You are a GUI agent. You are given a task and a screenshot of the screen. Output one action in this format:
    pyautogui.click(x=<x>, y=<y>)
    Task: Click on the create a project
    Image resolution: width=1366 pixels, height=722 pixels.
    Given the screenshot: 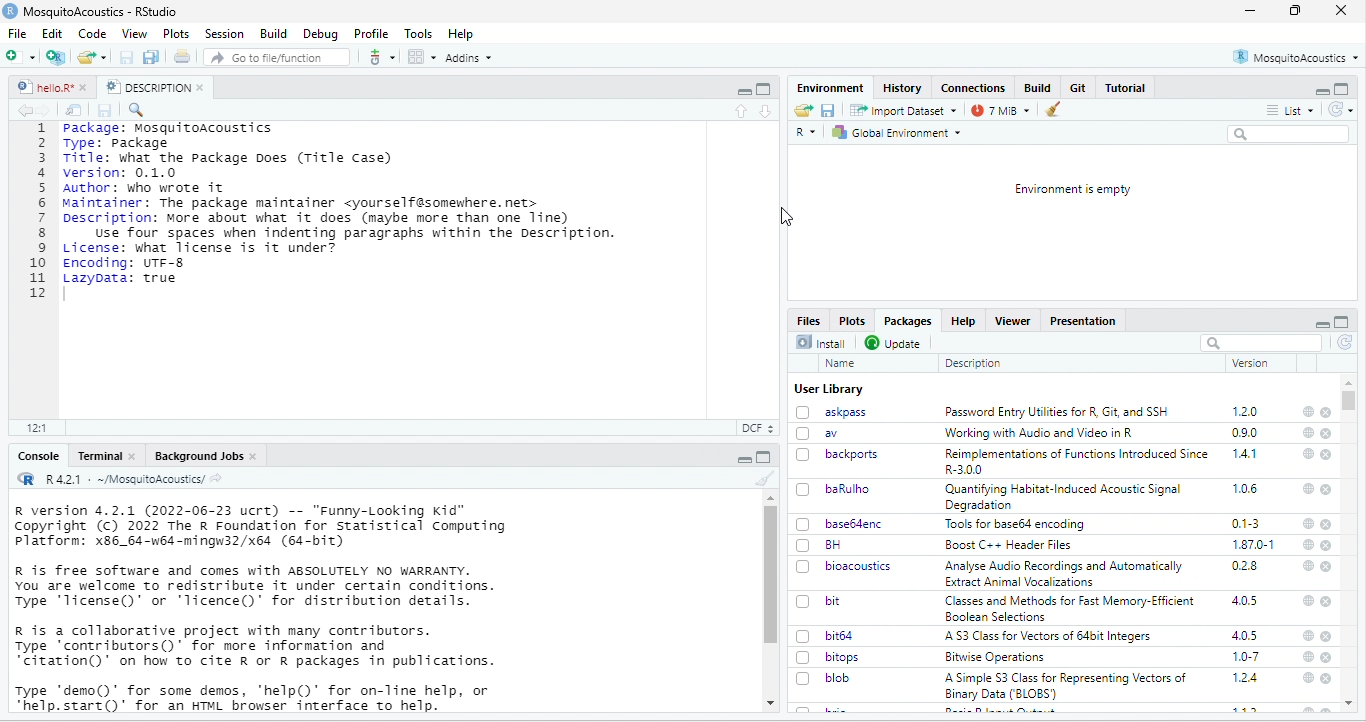 What is the action you would take?
    pyautogui.click(x=56, y=57)
    